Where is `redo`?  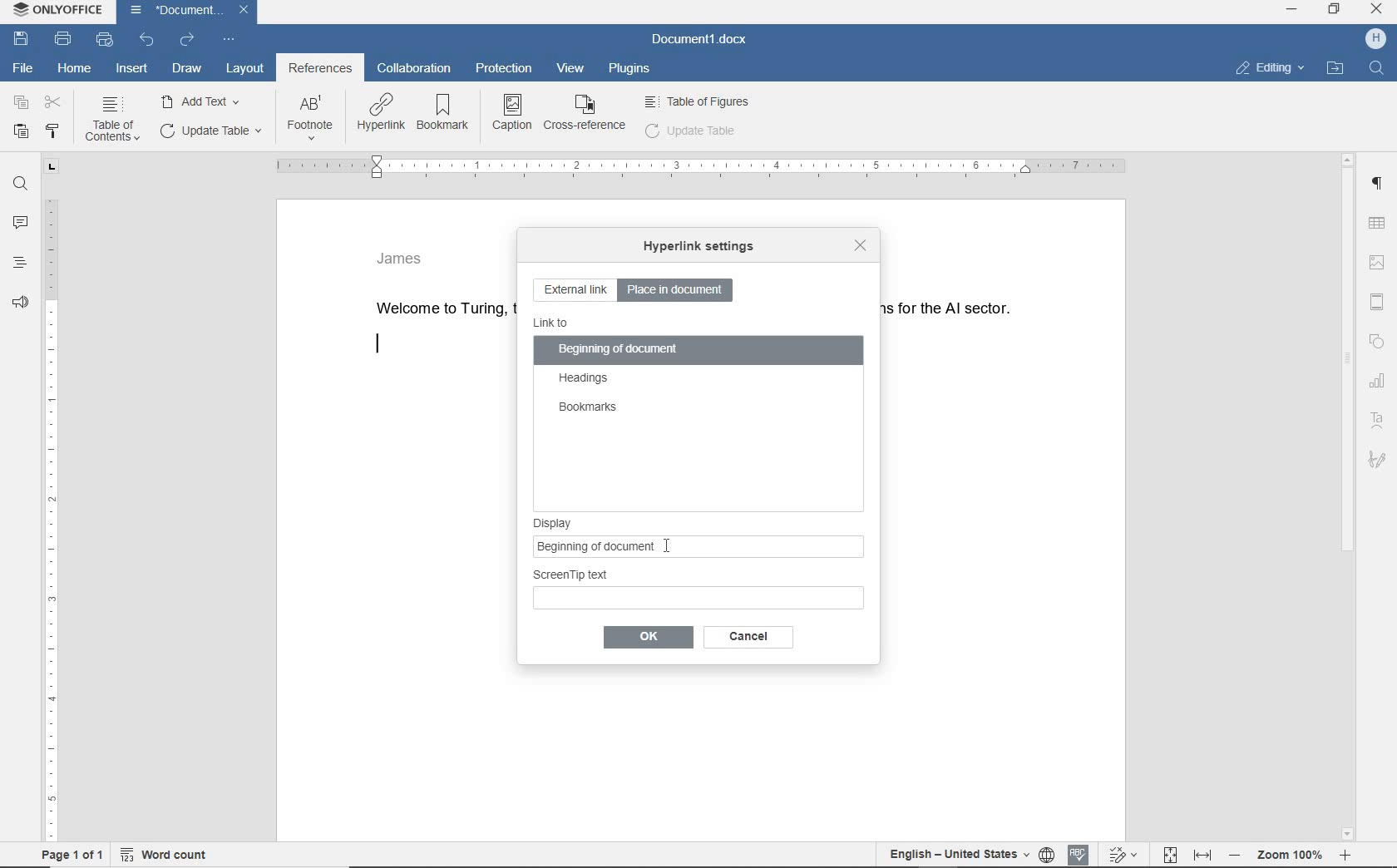
redo is located at coordinates (186, 40).